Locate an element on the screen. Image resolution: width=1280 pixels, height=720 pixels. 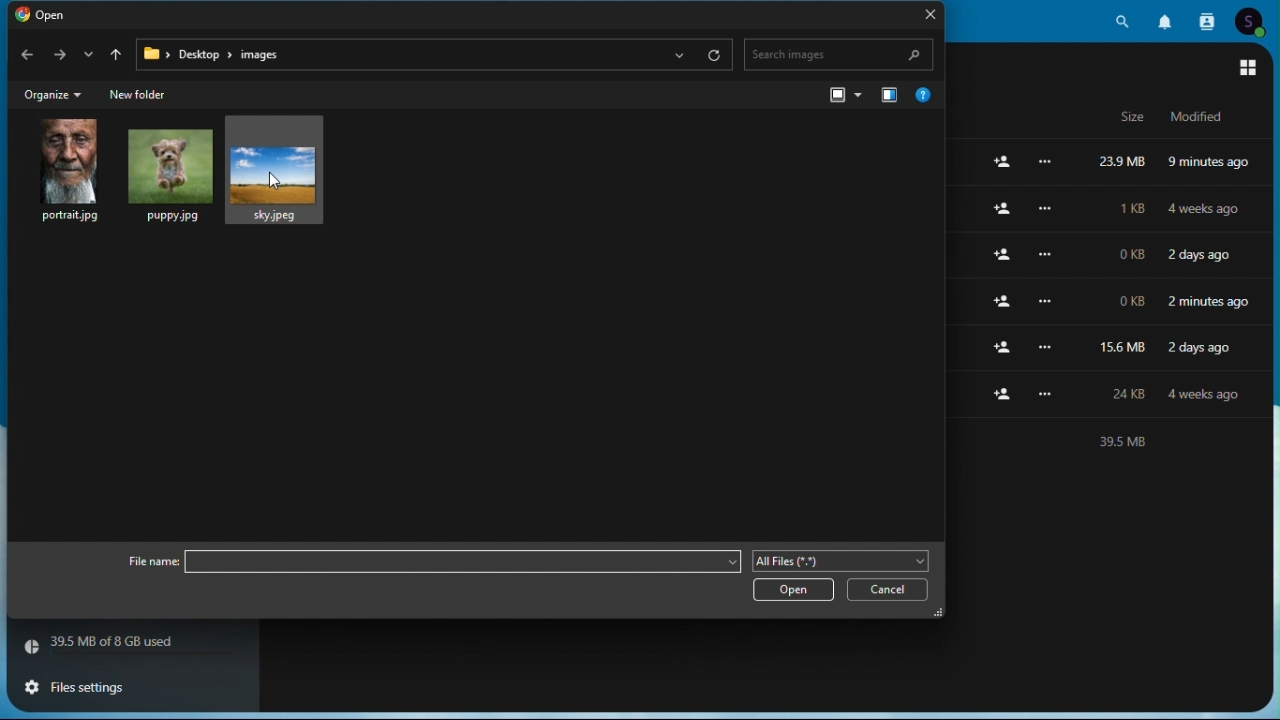
back is located at coordinates (24, 59).